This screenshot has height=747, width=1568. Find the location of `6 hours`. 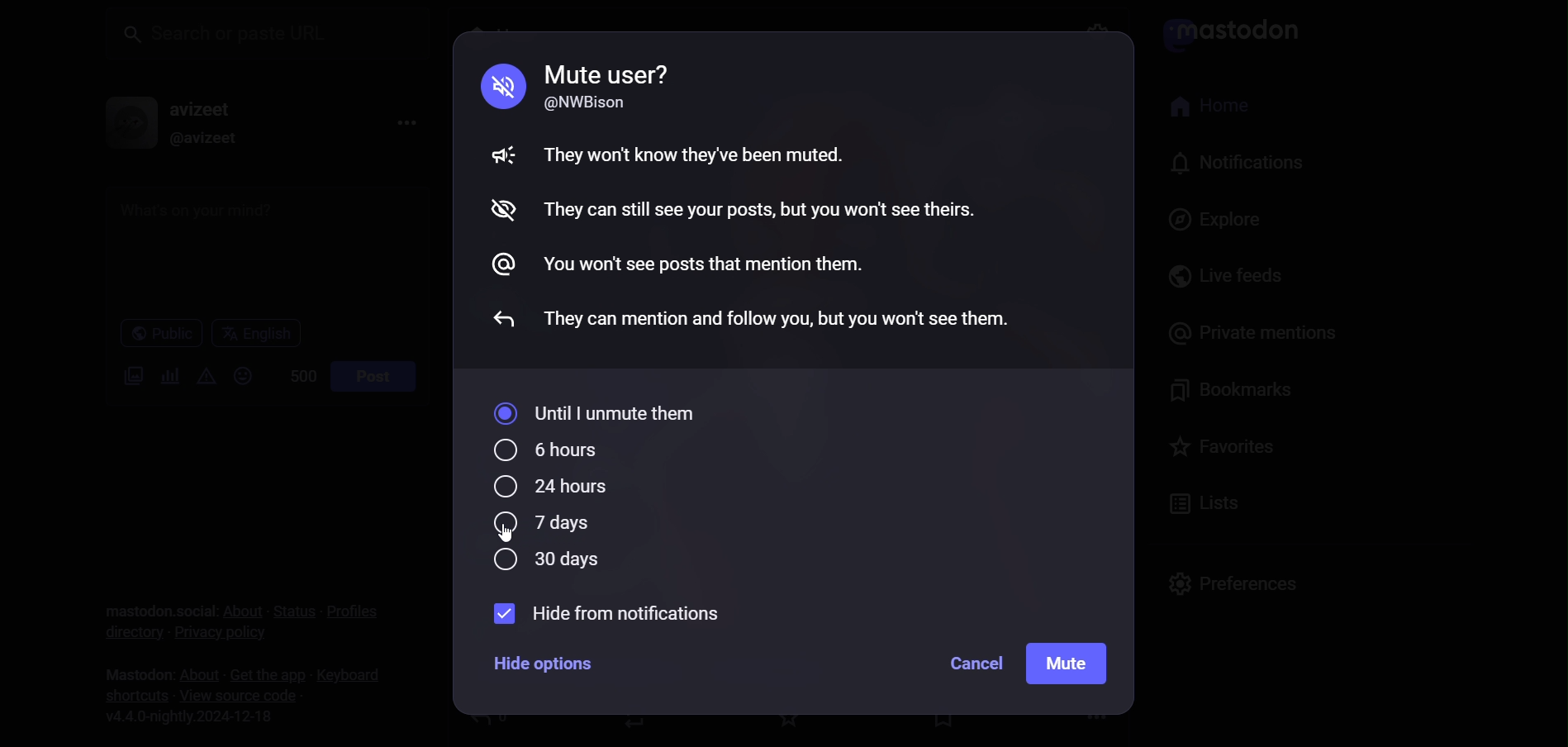

6 hours is located at coordinates (558, 450).